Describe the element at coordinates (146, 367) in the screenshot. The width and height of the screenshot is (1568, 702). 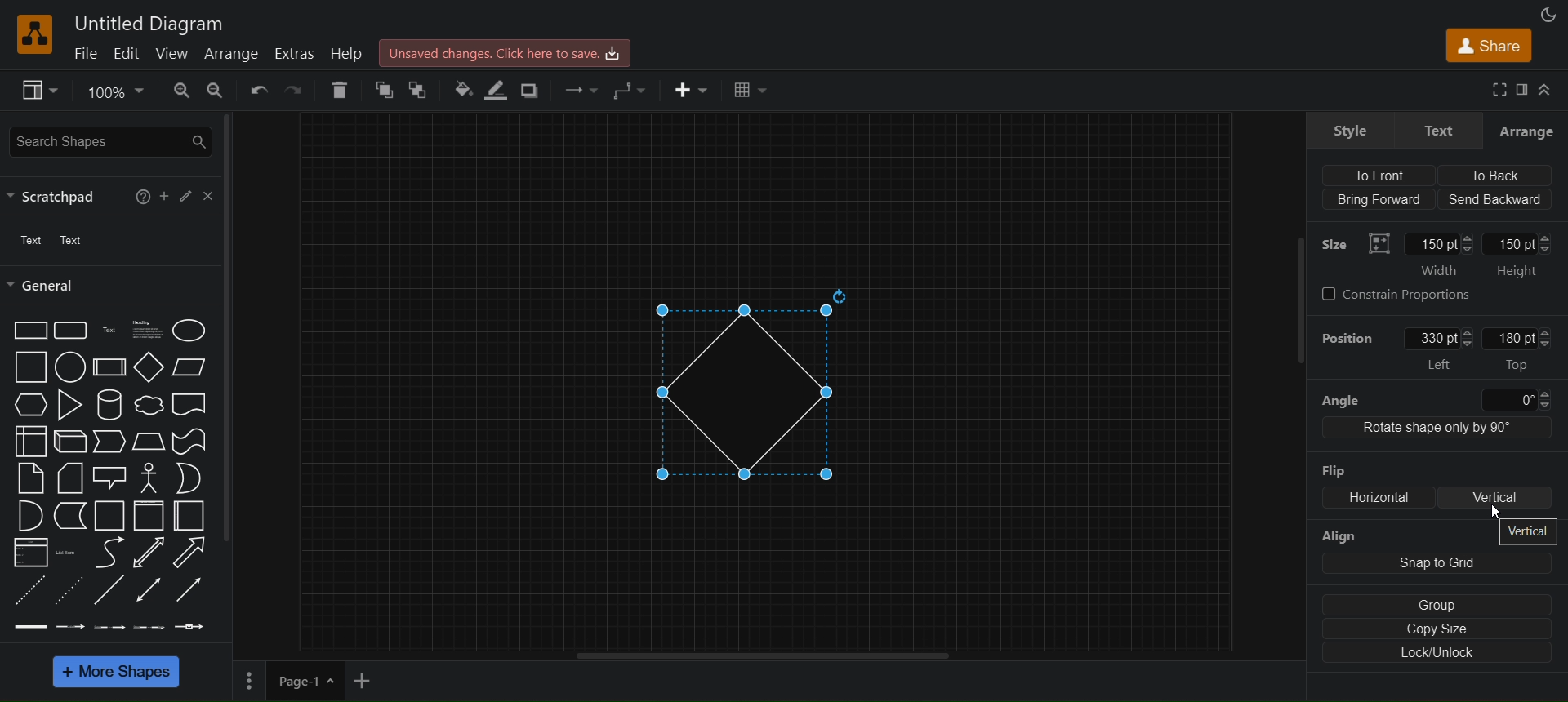
I see `diamond` at that location.